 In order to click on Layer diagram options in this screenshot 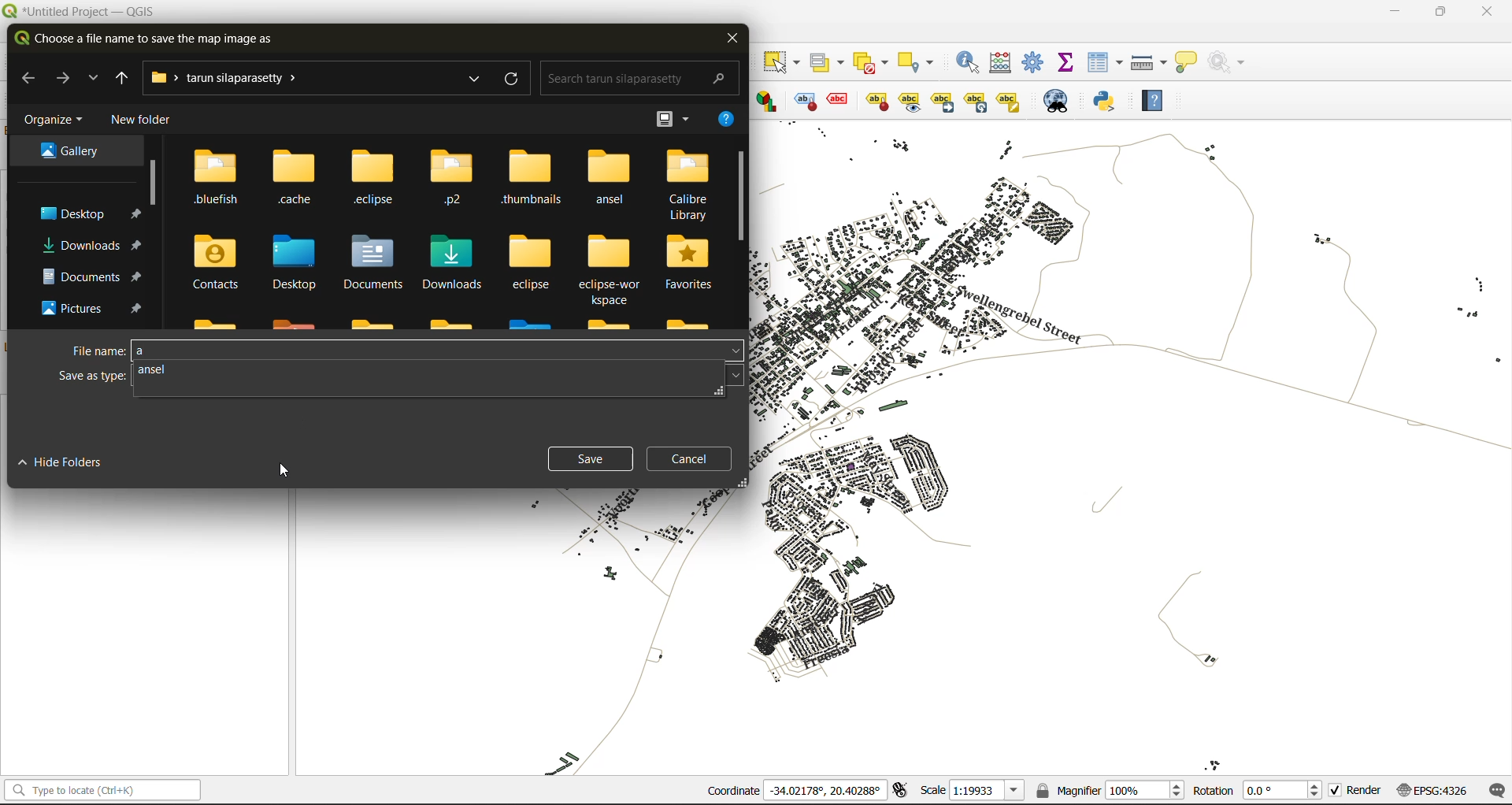, I will do `click(768, 101)`.